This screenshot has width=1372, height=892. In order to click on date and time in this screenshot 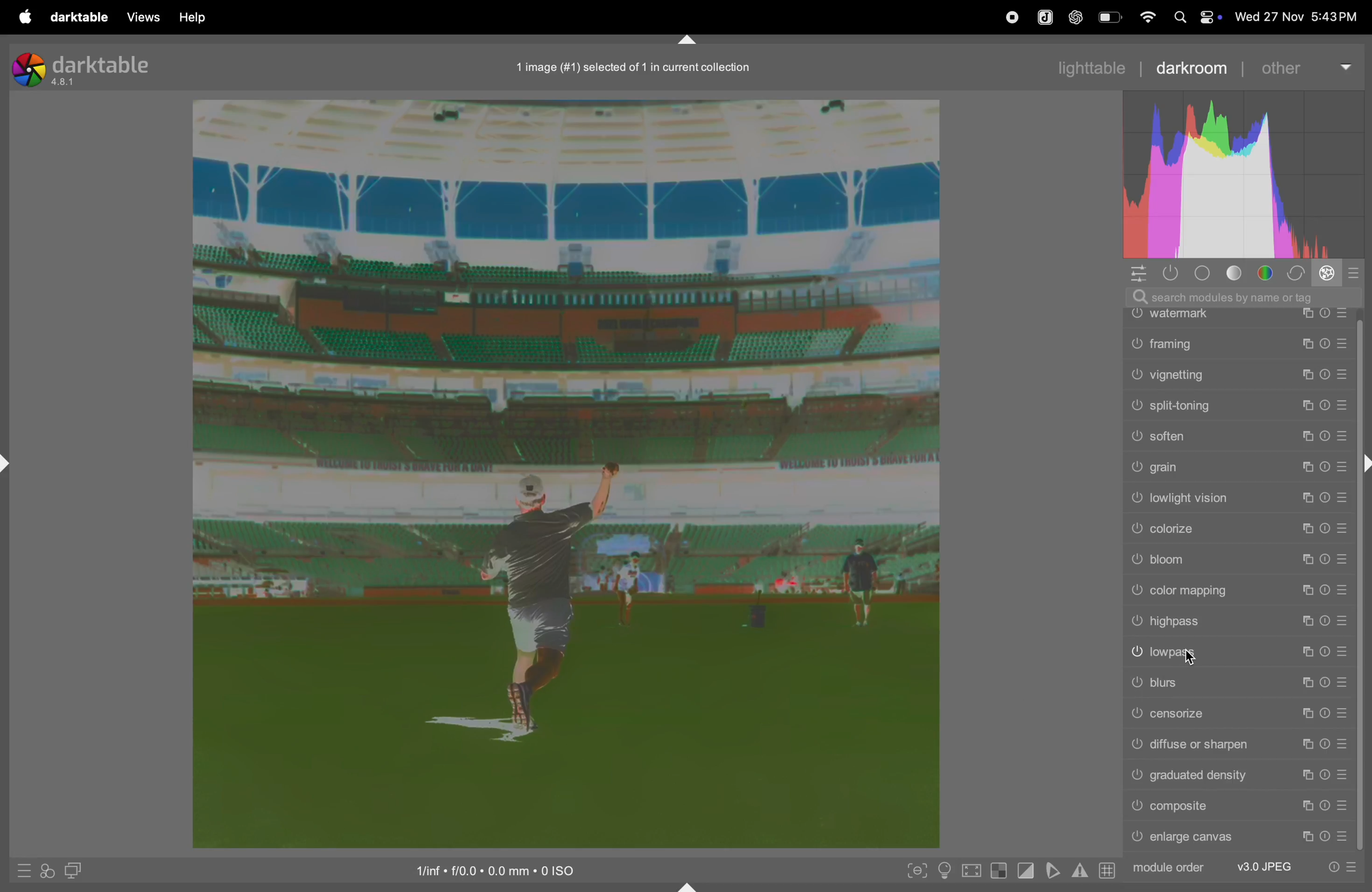, I will do `click(1296, 14)`.